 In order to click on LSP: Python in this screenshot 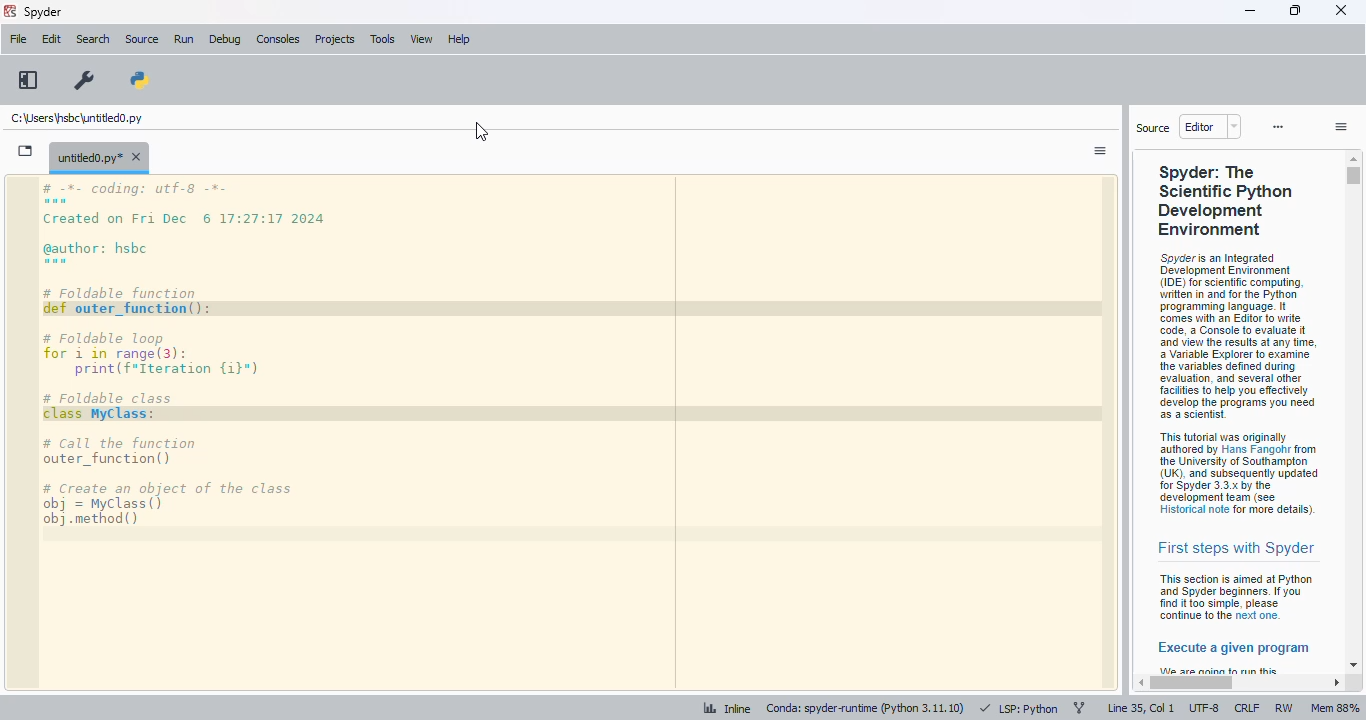, I will do `click(1019, 708)`.